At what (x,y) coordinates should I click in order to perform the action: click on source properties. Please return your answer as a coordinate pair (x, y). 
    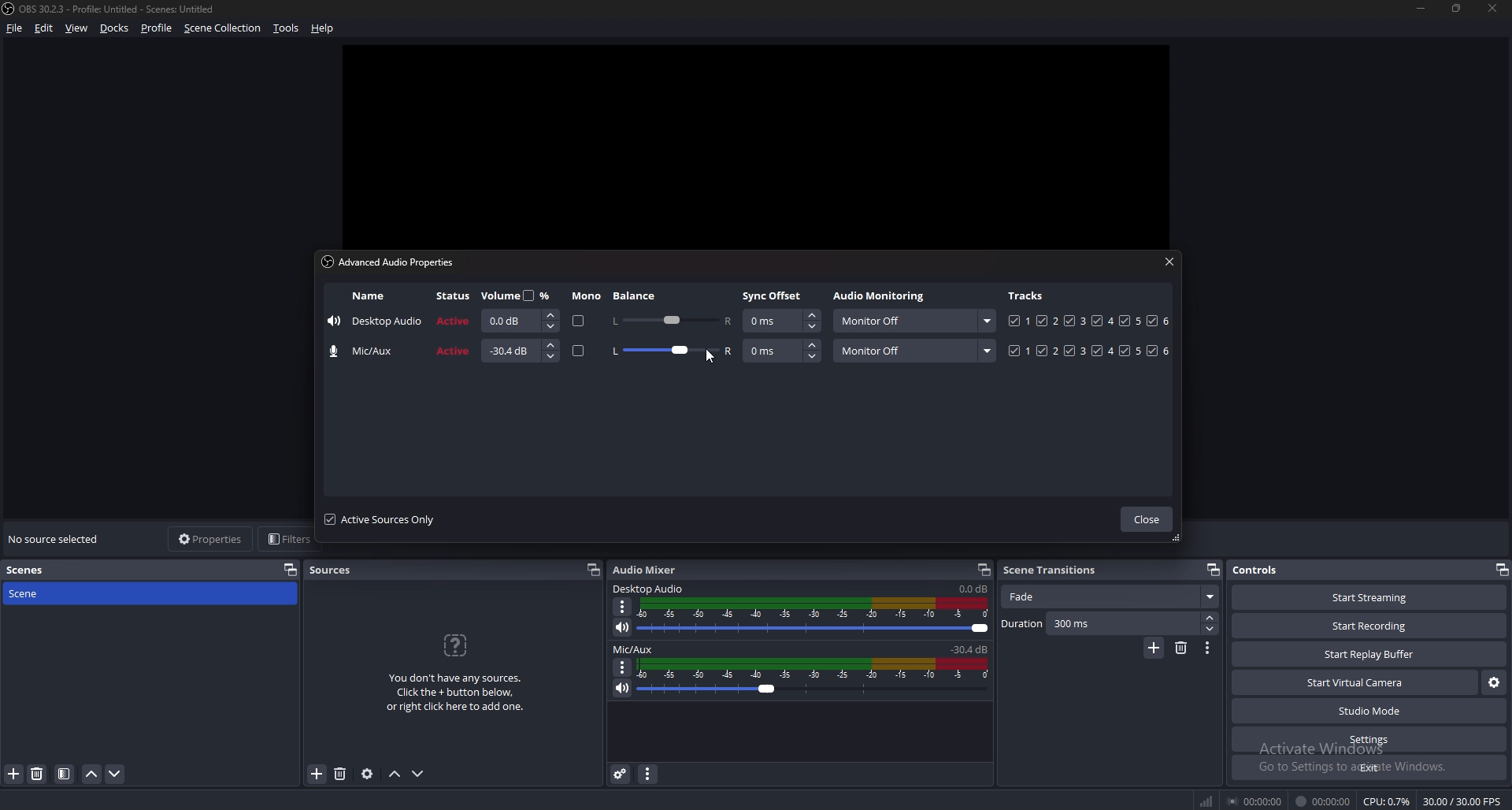
    Looking at the image, I should click on (367, 774).